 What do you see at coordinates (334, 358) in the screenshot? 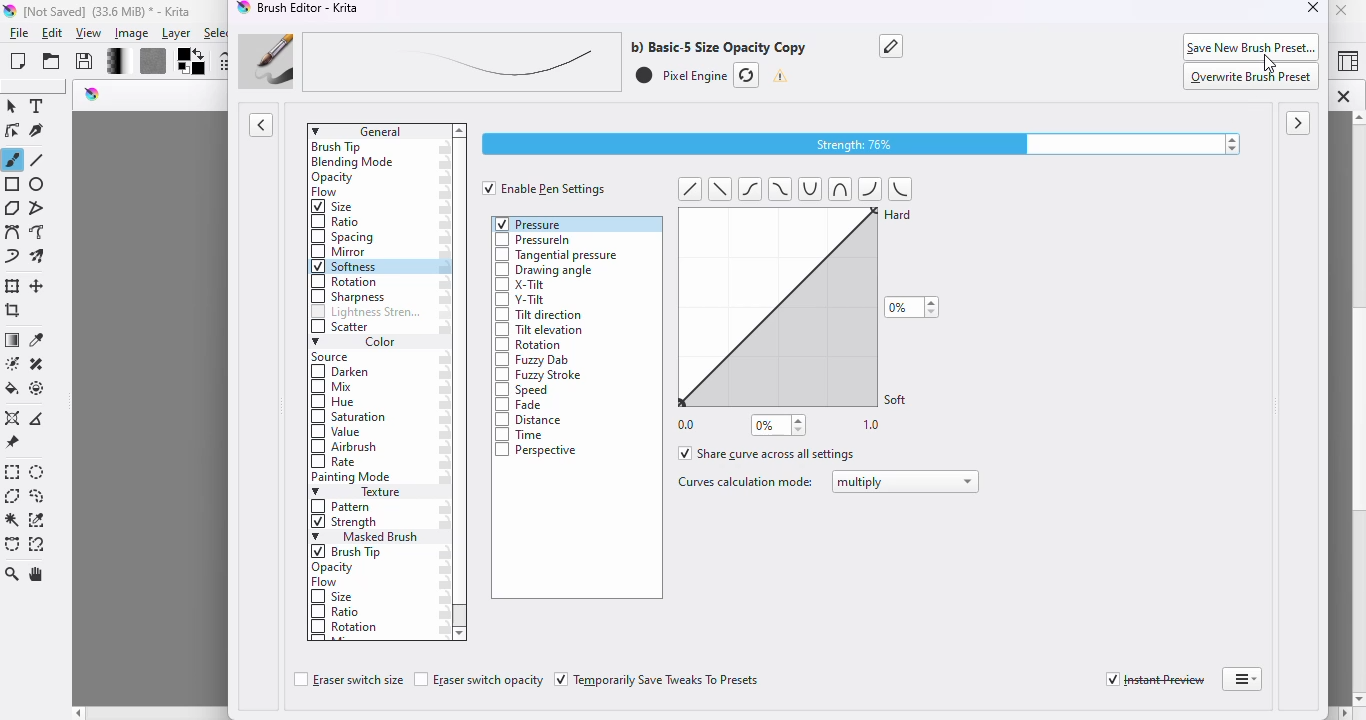
I see `source` at bounding box center [334, 358].